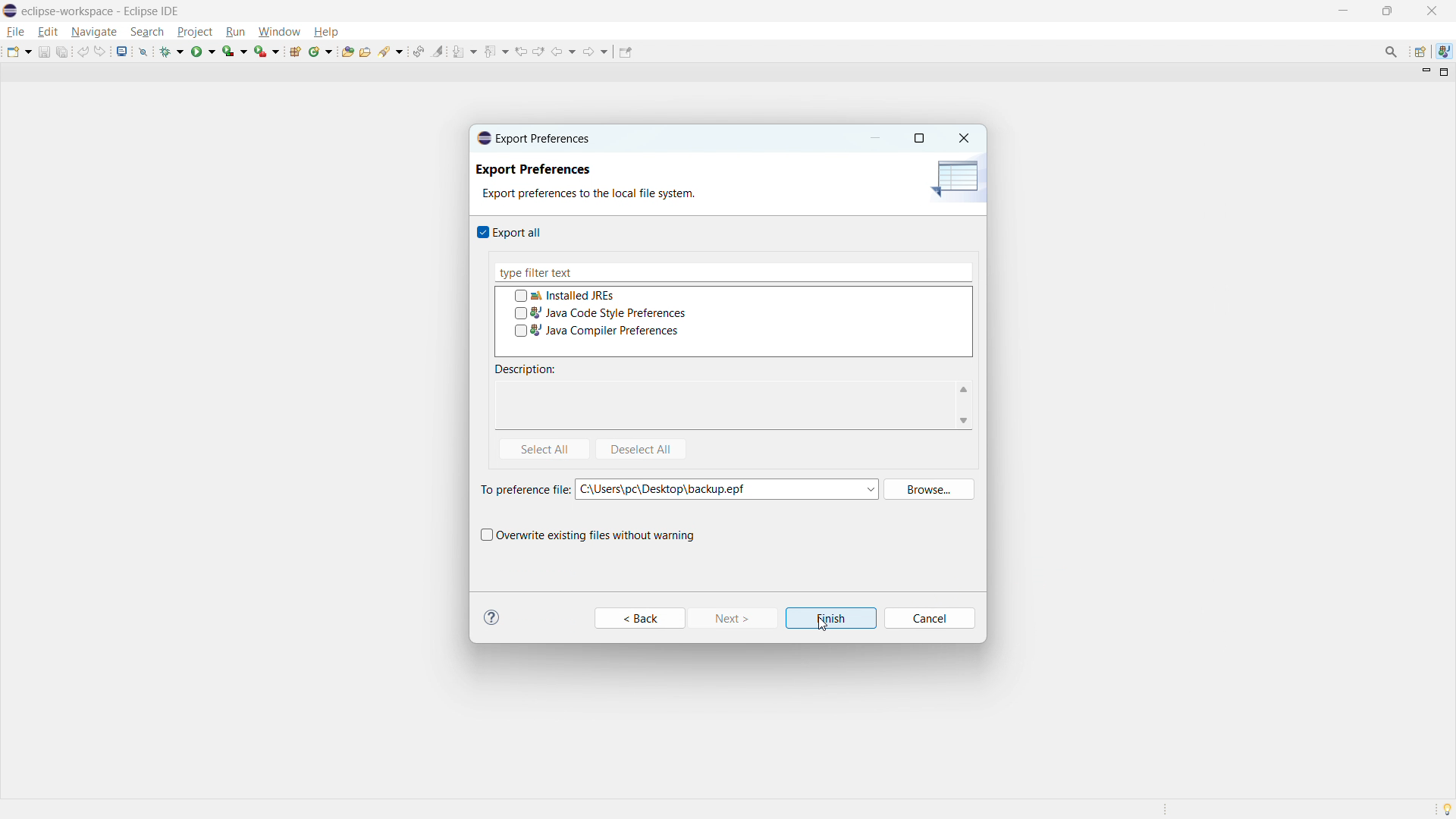  Describe the element at coordinates (62, 52) in the screenshot. I see `save all` at that location.